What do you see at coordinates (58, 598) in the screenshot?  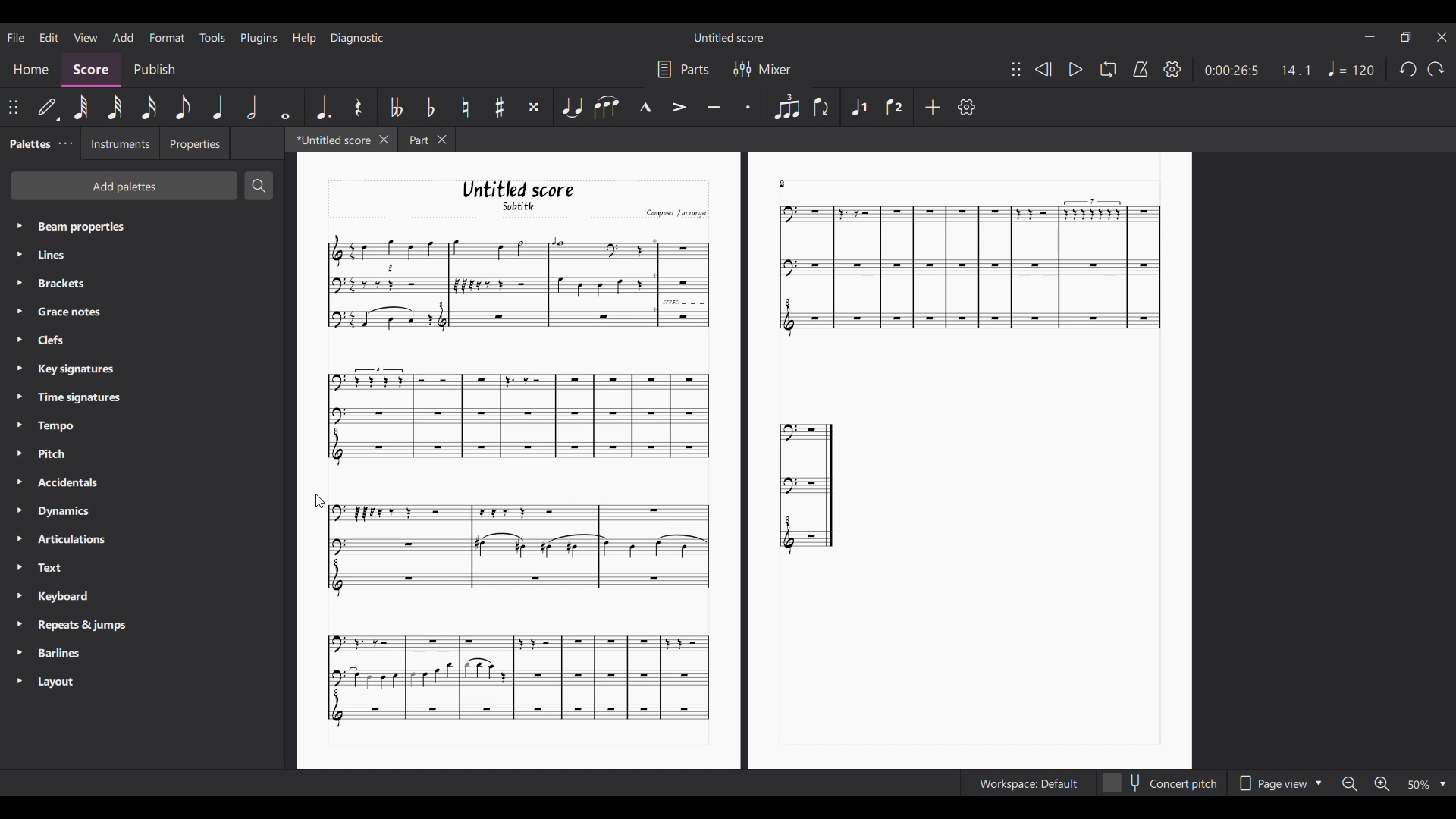 I see `> Keyboard` at bounding box center [58, 598].